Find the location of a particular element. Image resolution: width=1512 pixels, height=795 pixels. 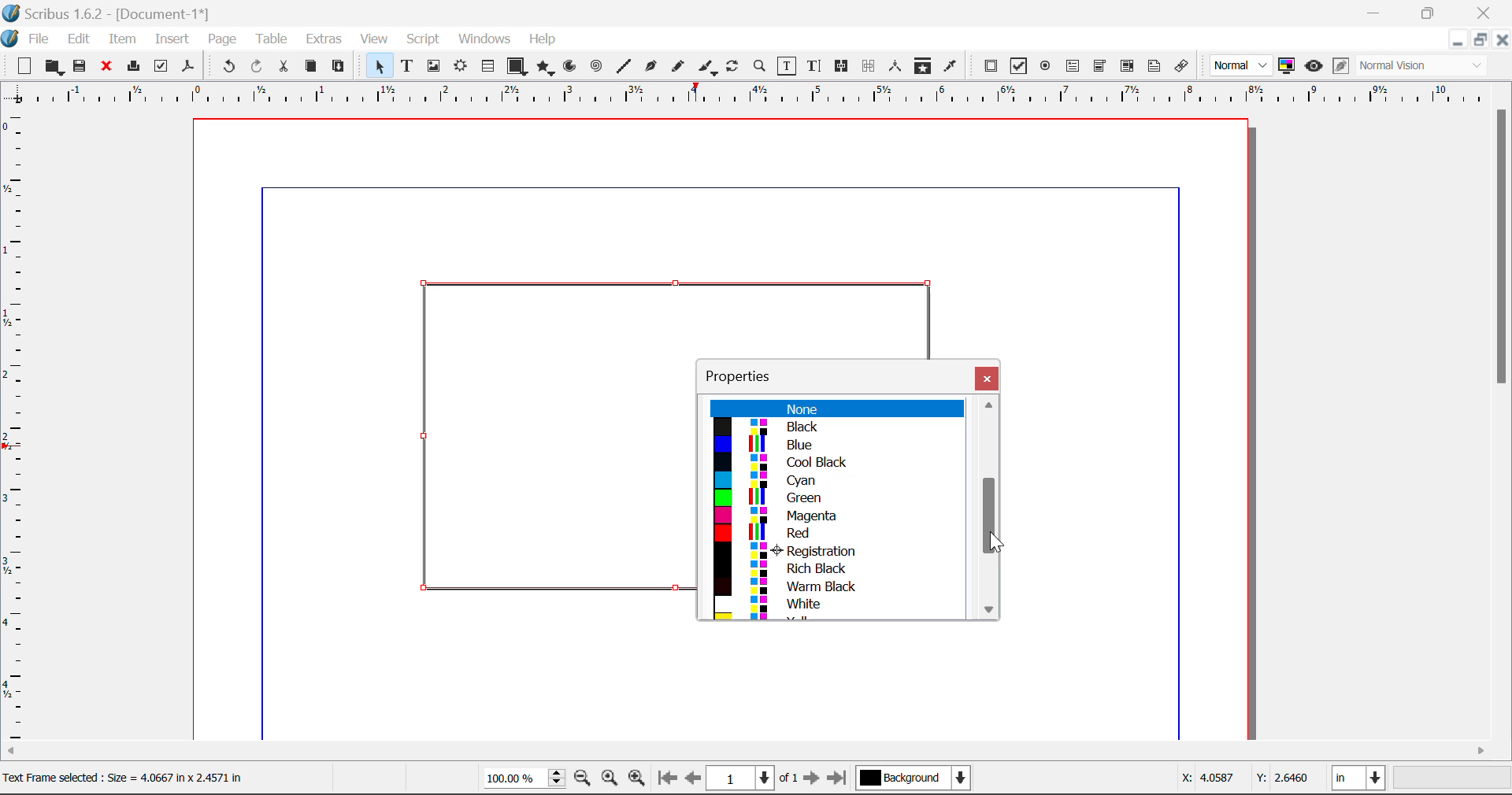

Horizontal Page Margins is located at coordinates (17, 427).